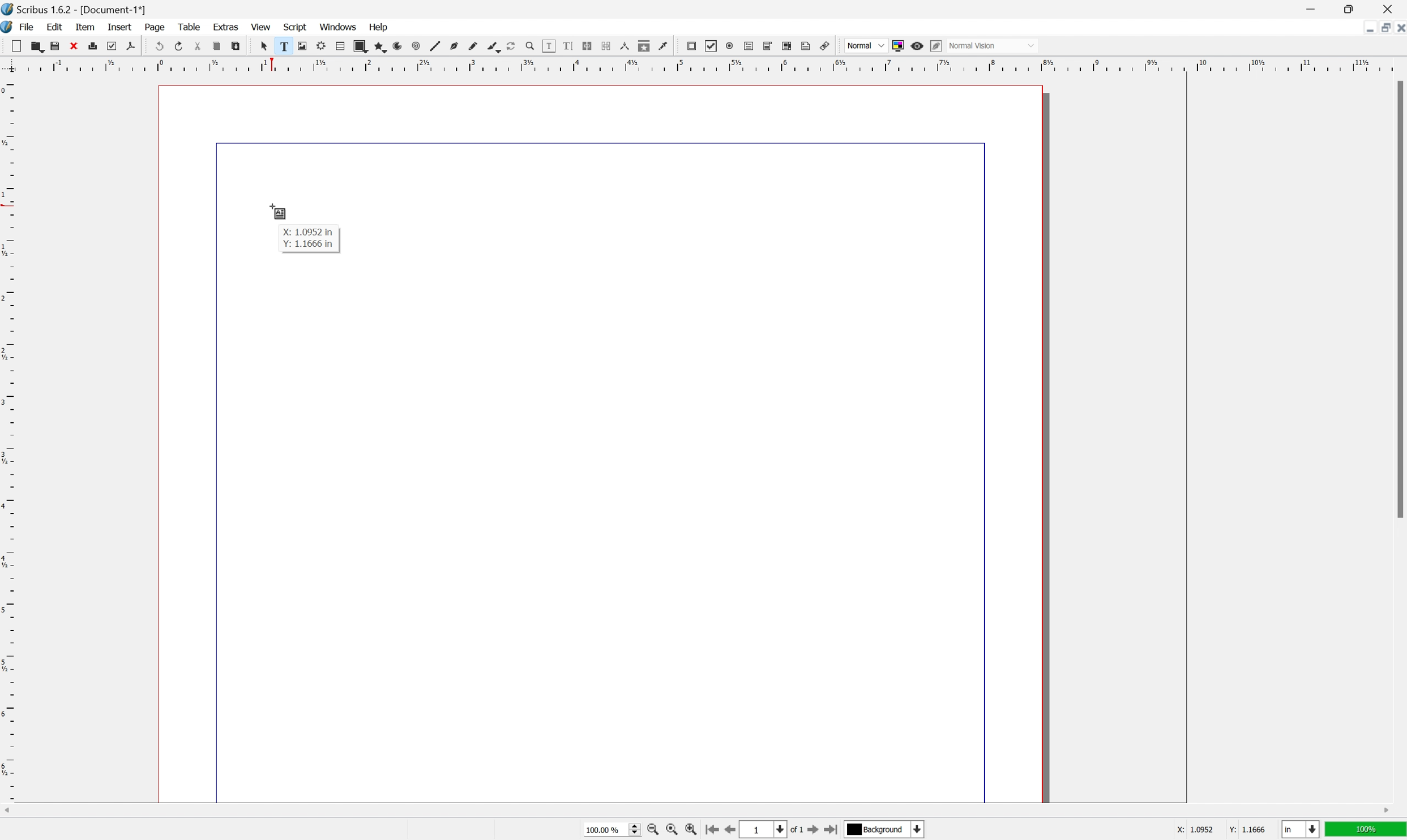 This screenshot has height=840, width=1407. Describe the element at coordinates (567, 45) in the screenshot. I see `edit text with story editor` at that location.